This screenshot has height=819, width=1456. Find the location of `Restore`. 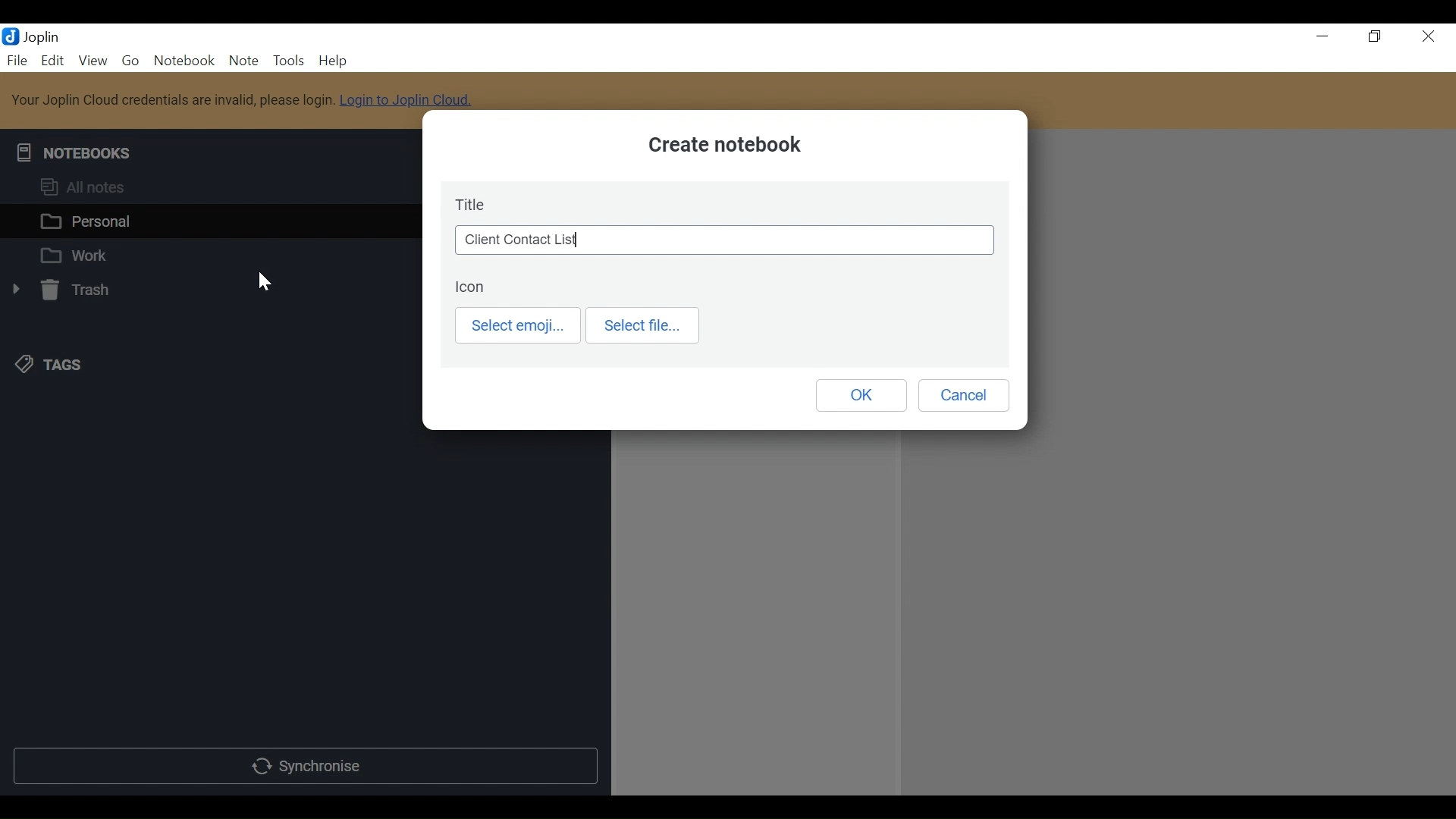

Restore is located at coordinates (1375, 36).